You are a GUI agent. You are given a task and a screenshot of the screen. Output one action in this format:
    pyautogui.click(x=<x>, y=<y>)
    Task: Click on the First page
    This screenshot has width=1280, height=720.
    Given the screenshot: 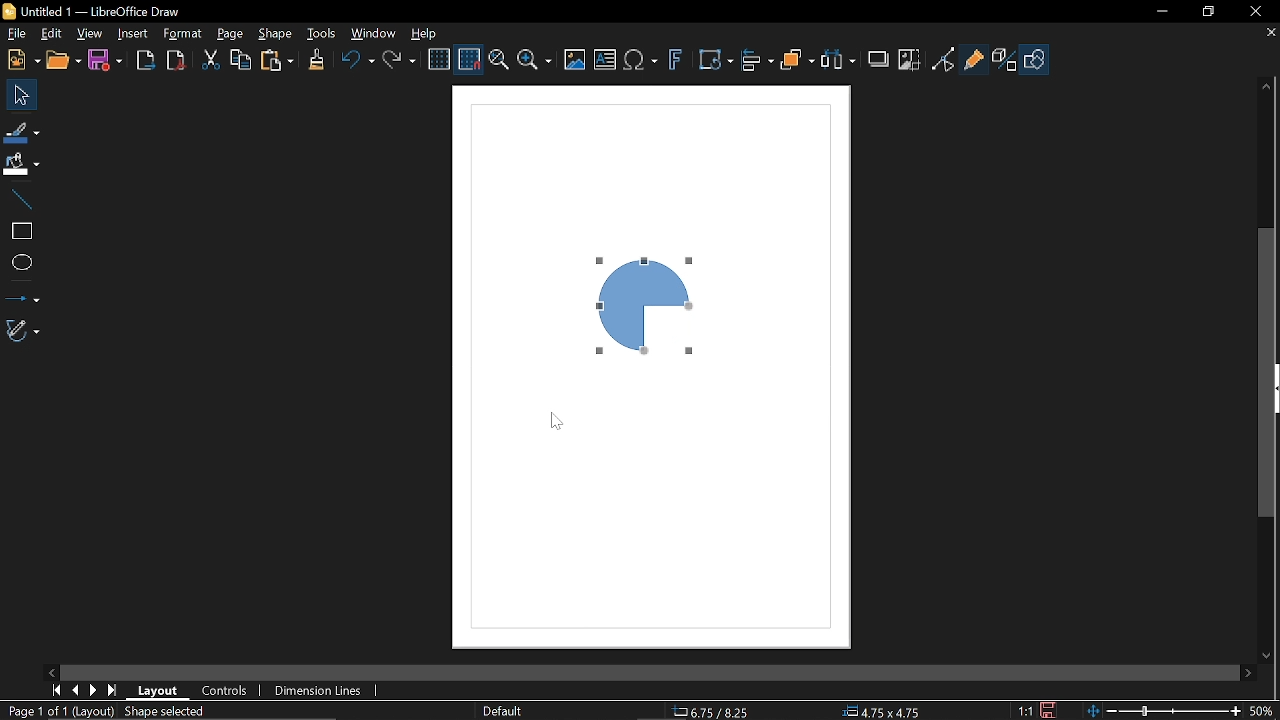 What is the action you would take?
    pyautogui.click(x=56, y=689)
    